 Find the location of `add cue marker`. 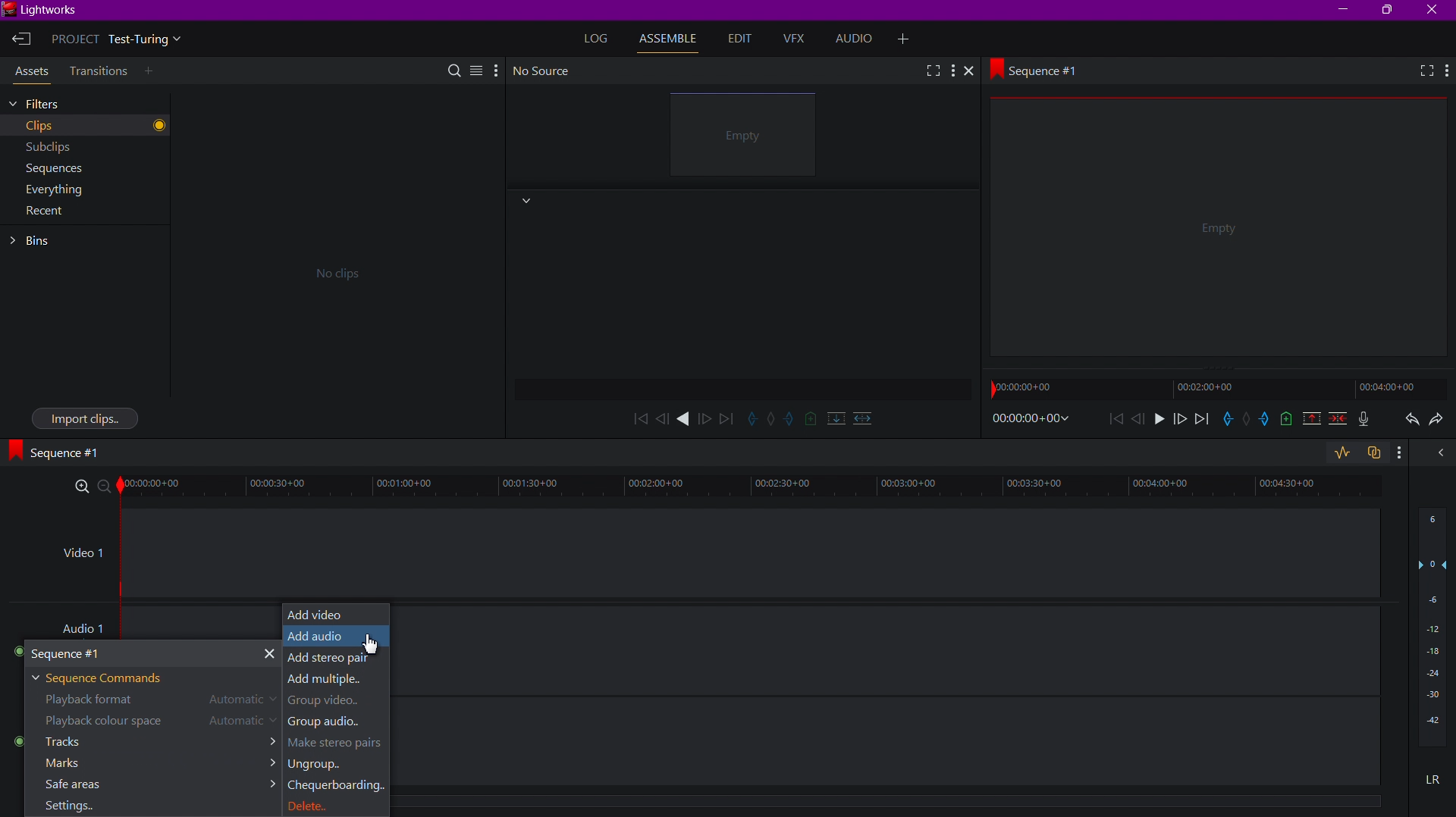

add cue marker is located at coordinates (811, 418).